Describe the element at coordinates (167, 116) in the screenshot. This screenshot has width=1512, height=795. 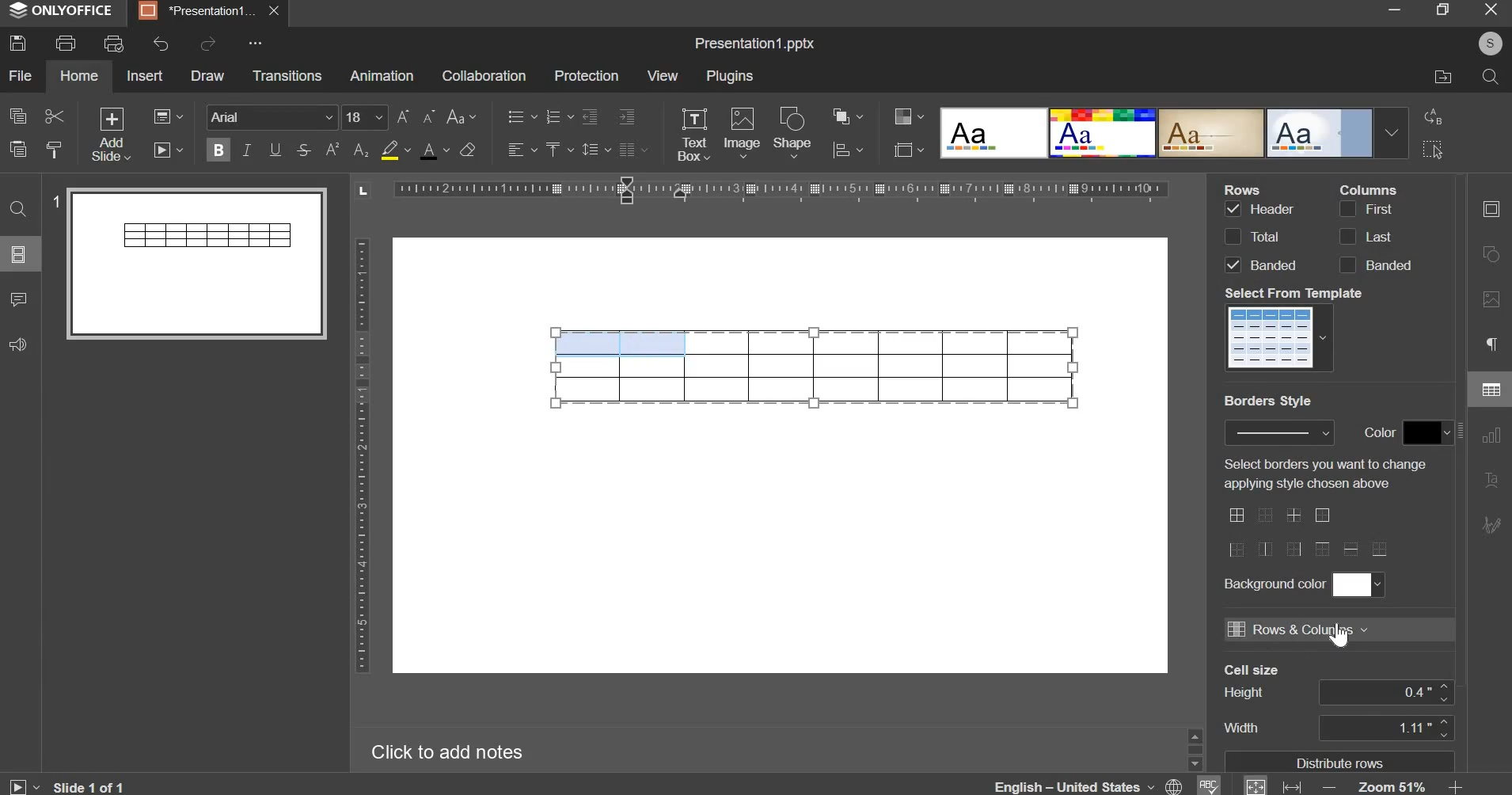
I see `change layout` at that location.